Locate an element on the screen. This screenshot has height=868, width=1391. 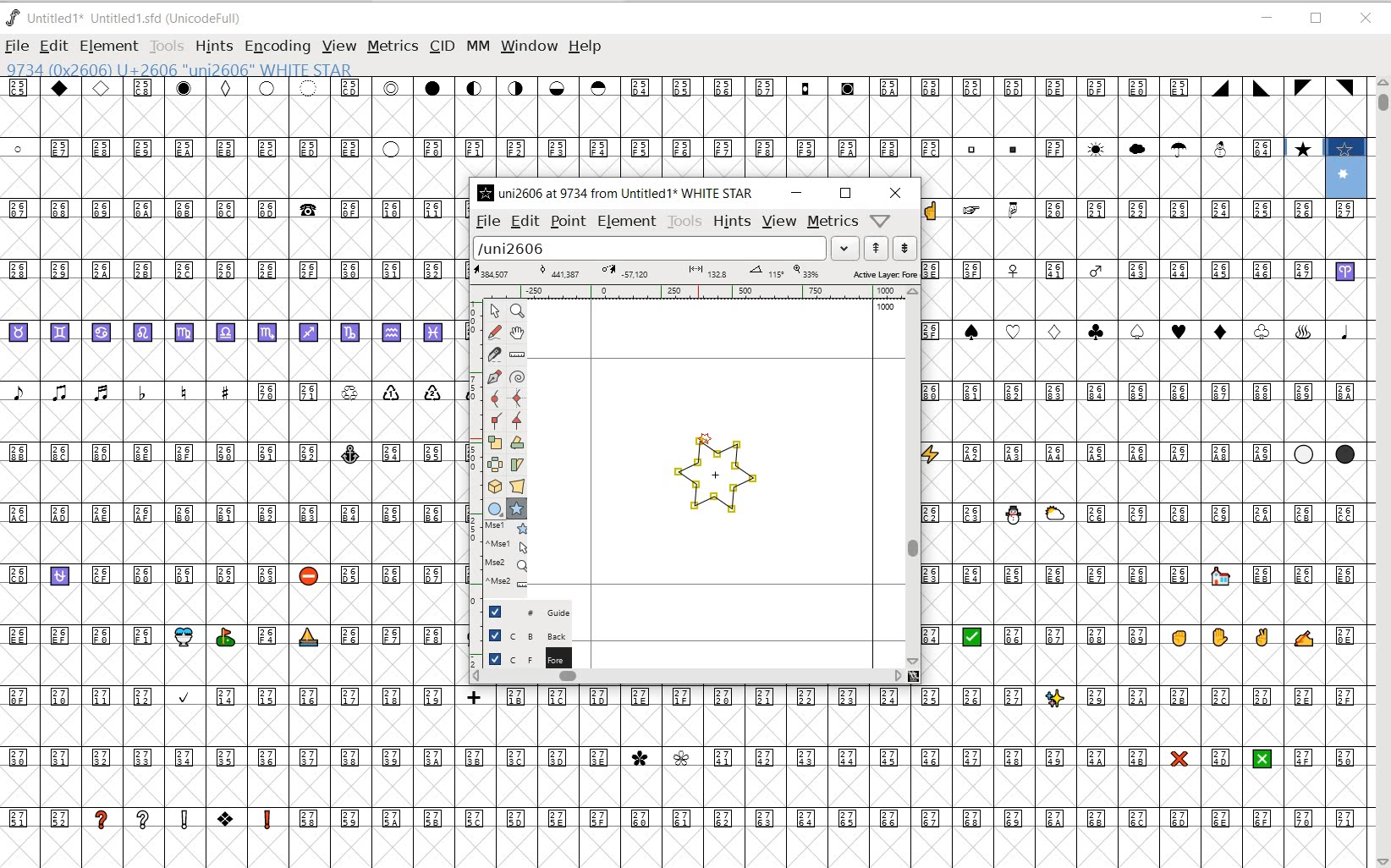
ROTATE THE SELECTION IN 3D is located at coordinates (498, 486).